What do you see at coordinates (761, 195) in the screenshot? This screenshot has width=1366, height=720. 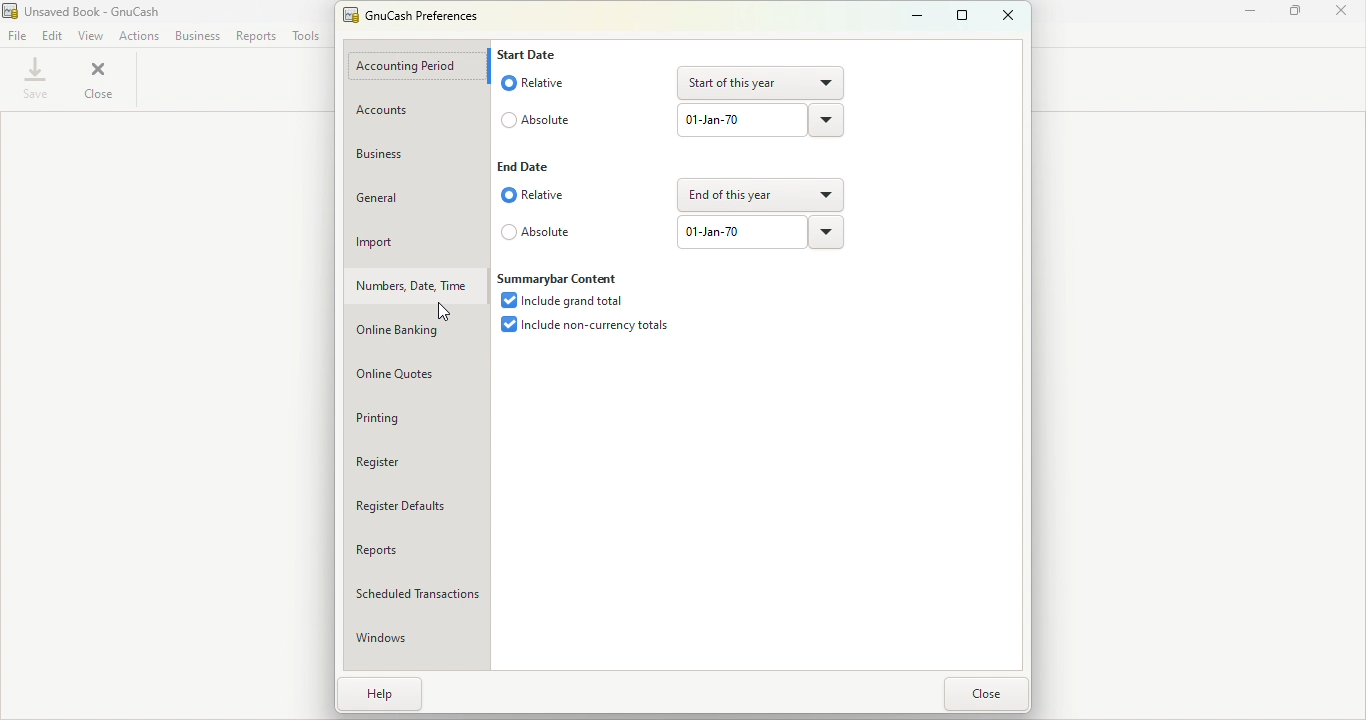 I see `End of this year` at bounding box center [761, 195].